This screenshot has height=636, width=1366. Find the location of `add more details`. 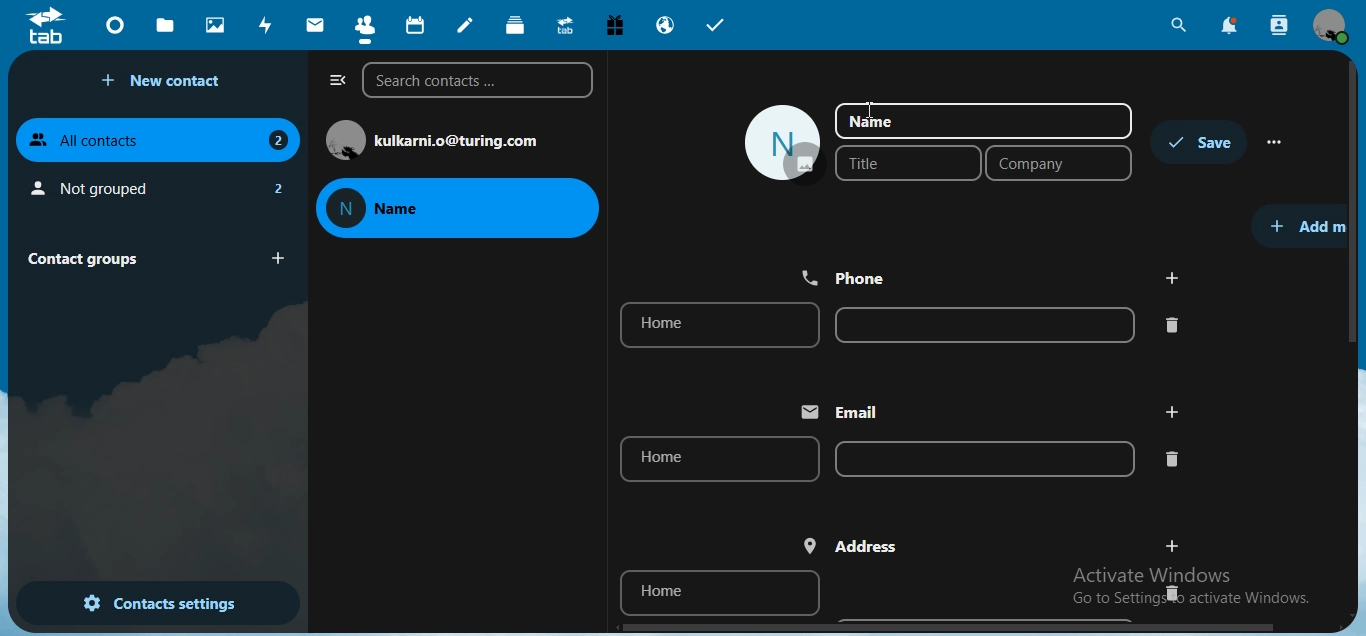

add more details is located at coordinates (1308, 224).